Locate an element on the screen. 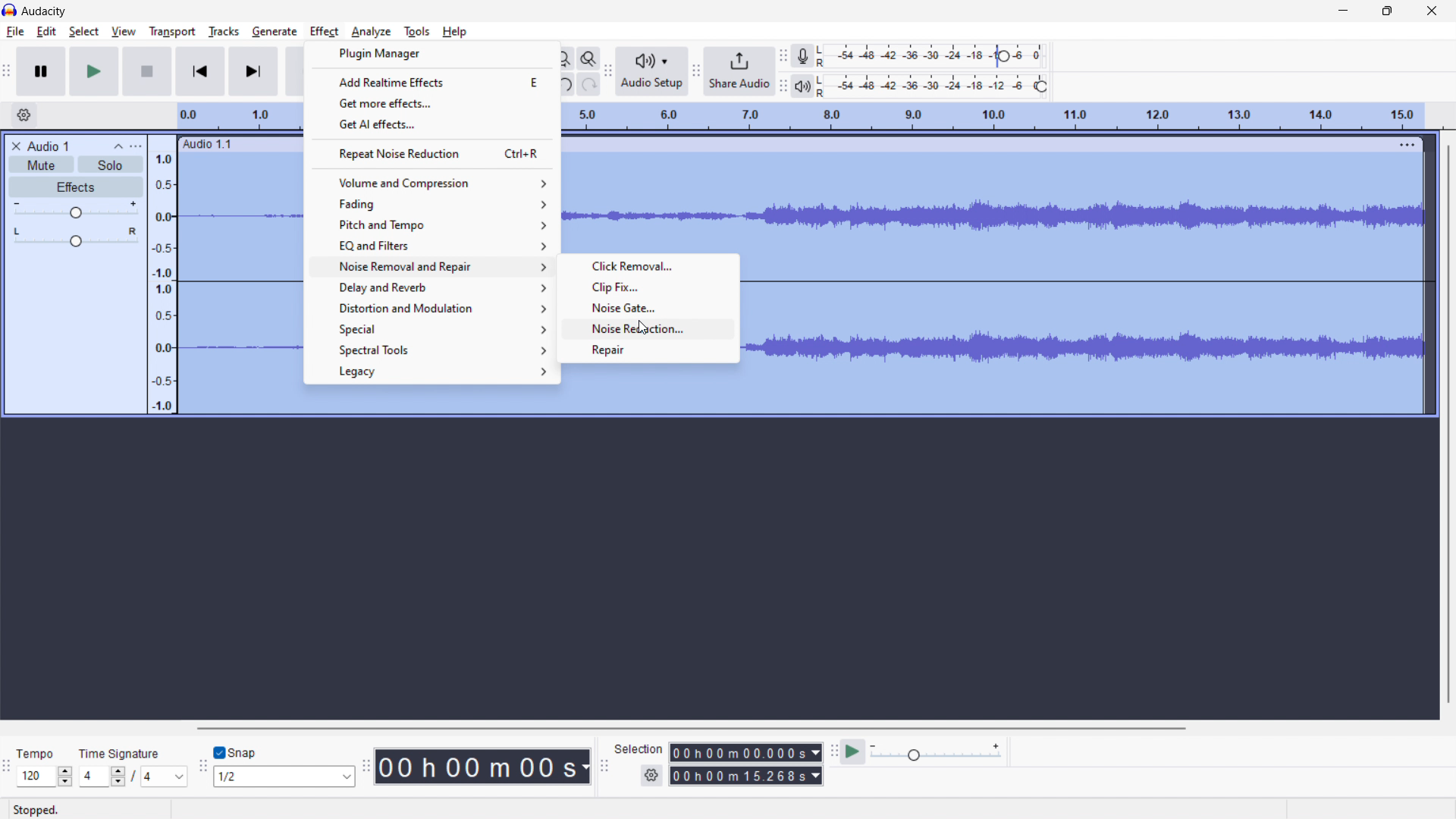 Image resolution: width=1456 pixels, height=819 pixels. Legacy is located at coordinates (432, 372).